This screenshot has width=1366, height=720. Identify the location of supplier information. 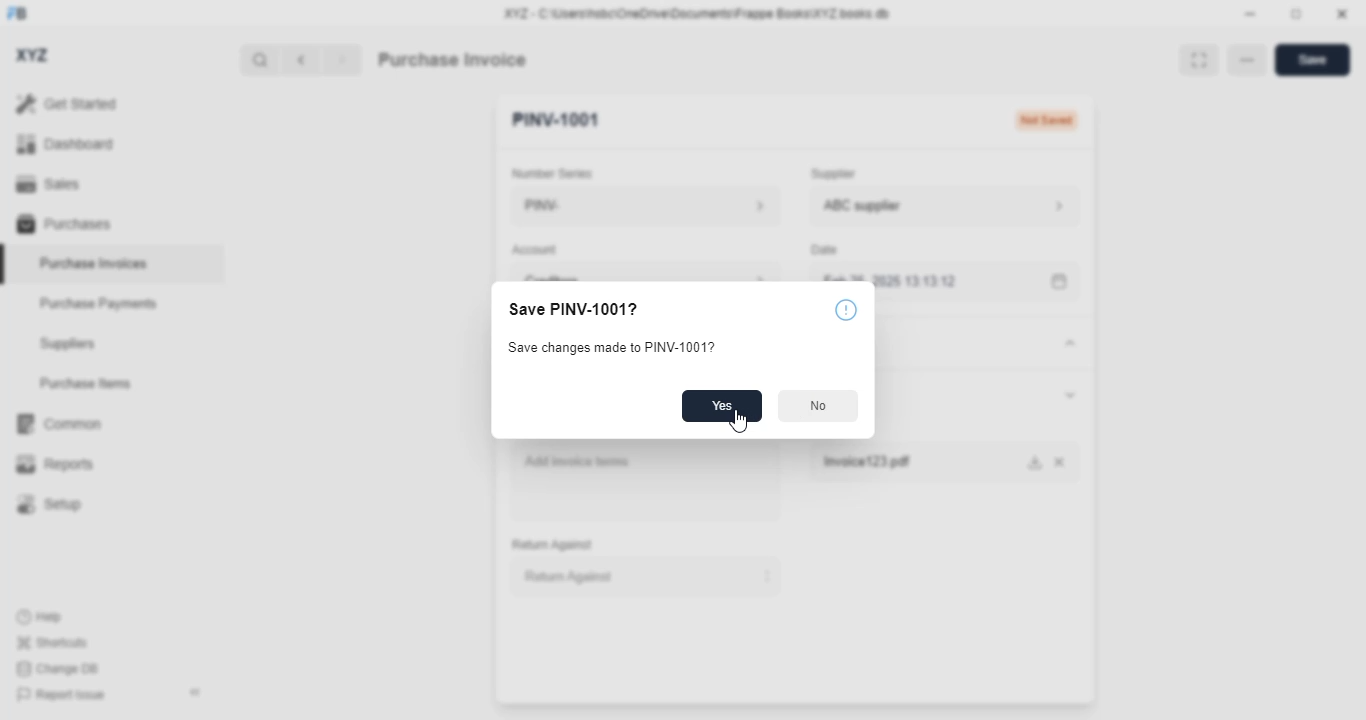
(1054, 206).